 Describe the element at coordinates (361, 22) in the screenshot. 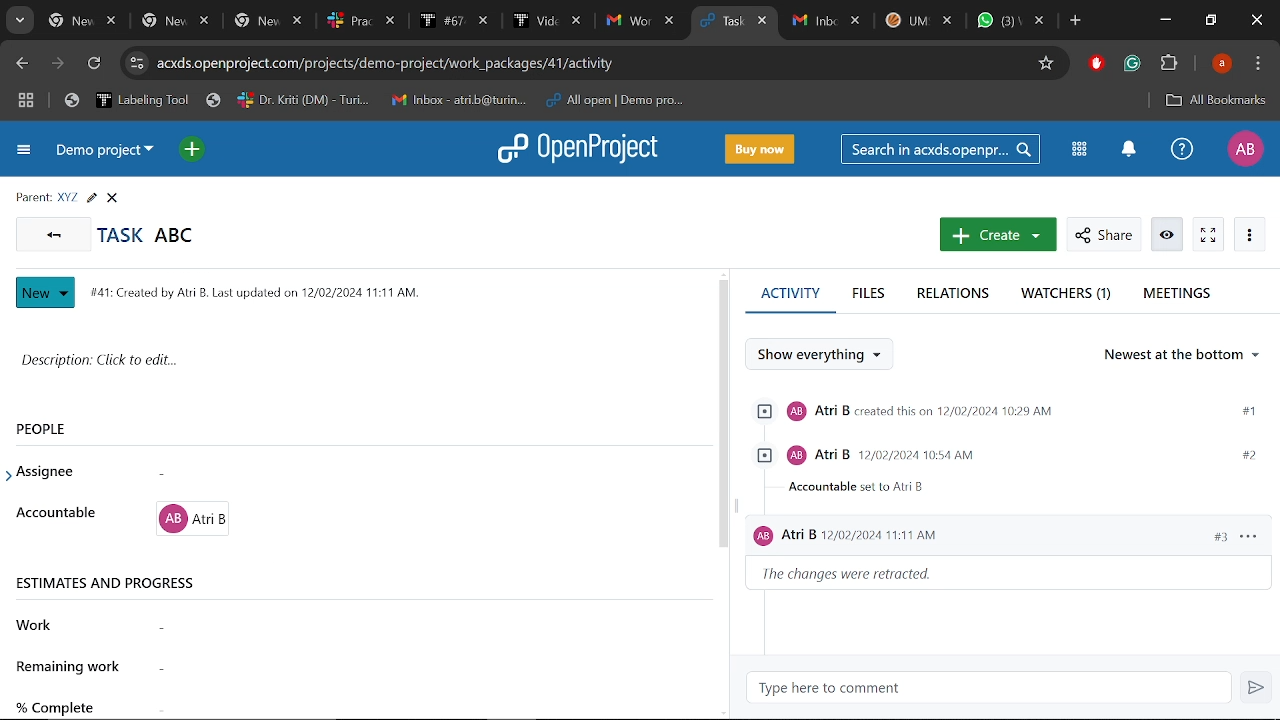

I see `open tabs` at that location.